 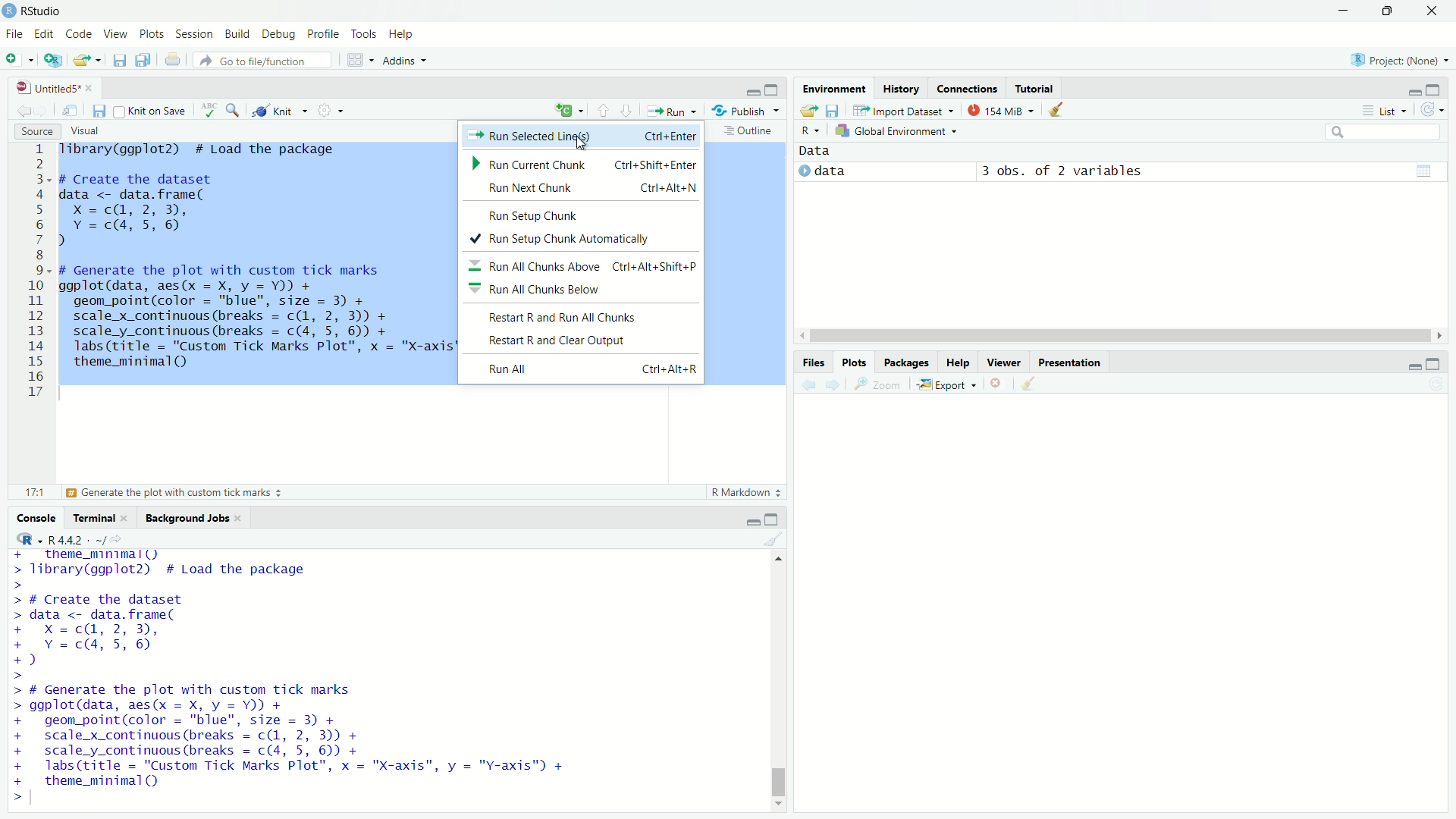 What do you see at coordinates (281, 111) in the screenshot?
I see `knit` at bounding box center [281, 111].